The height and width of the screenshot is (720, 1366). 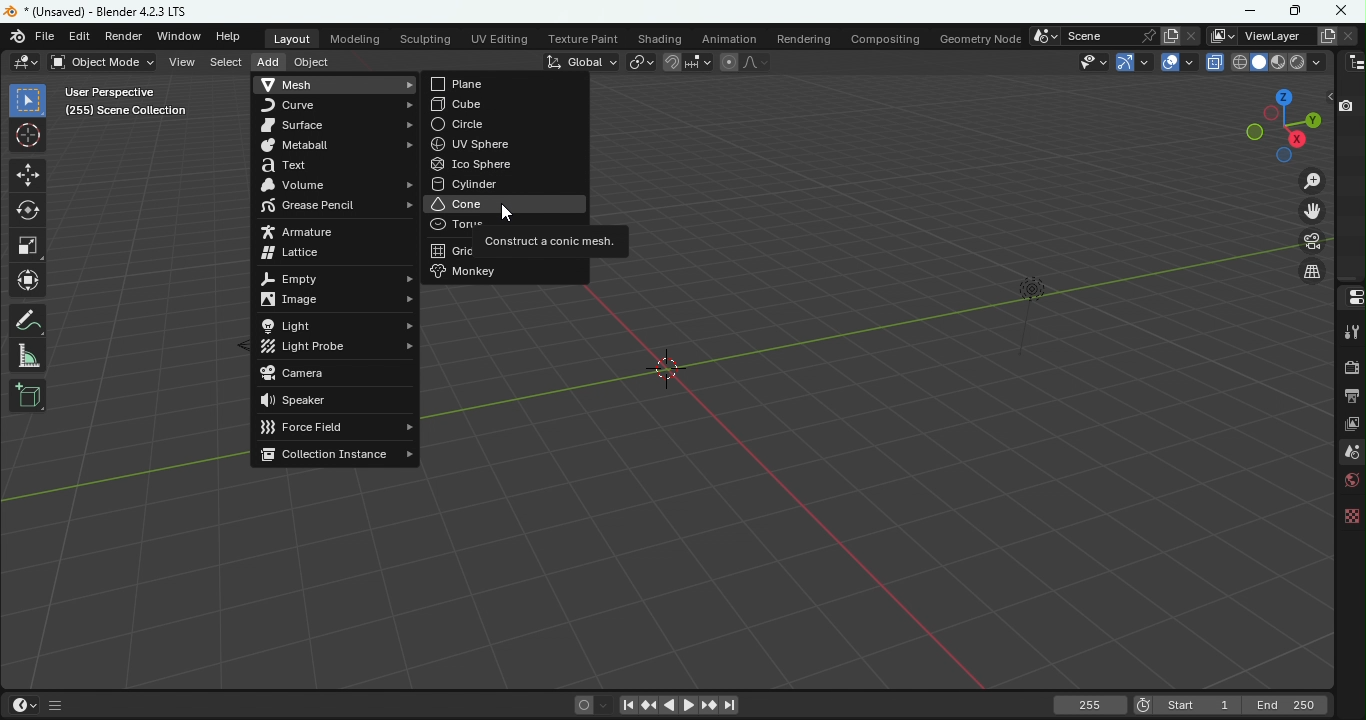 What do you see at coordinates (341, 324) in the screenshot?
I see `Light` at bounding box center [341, 324].